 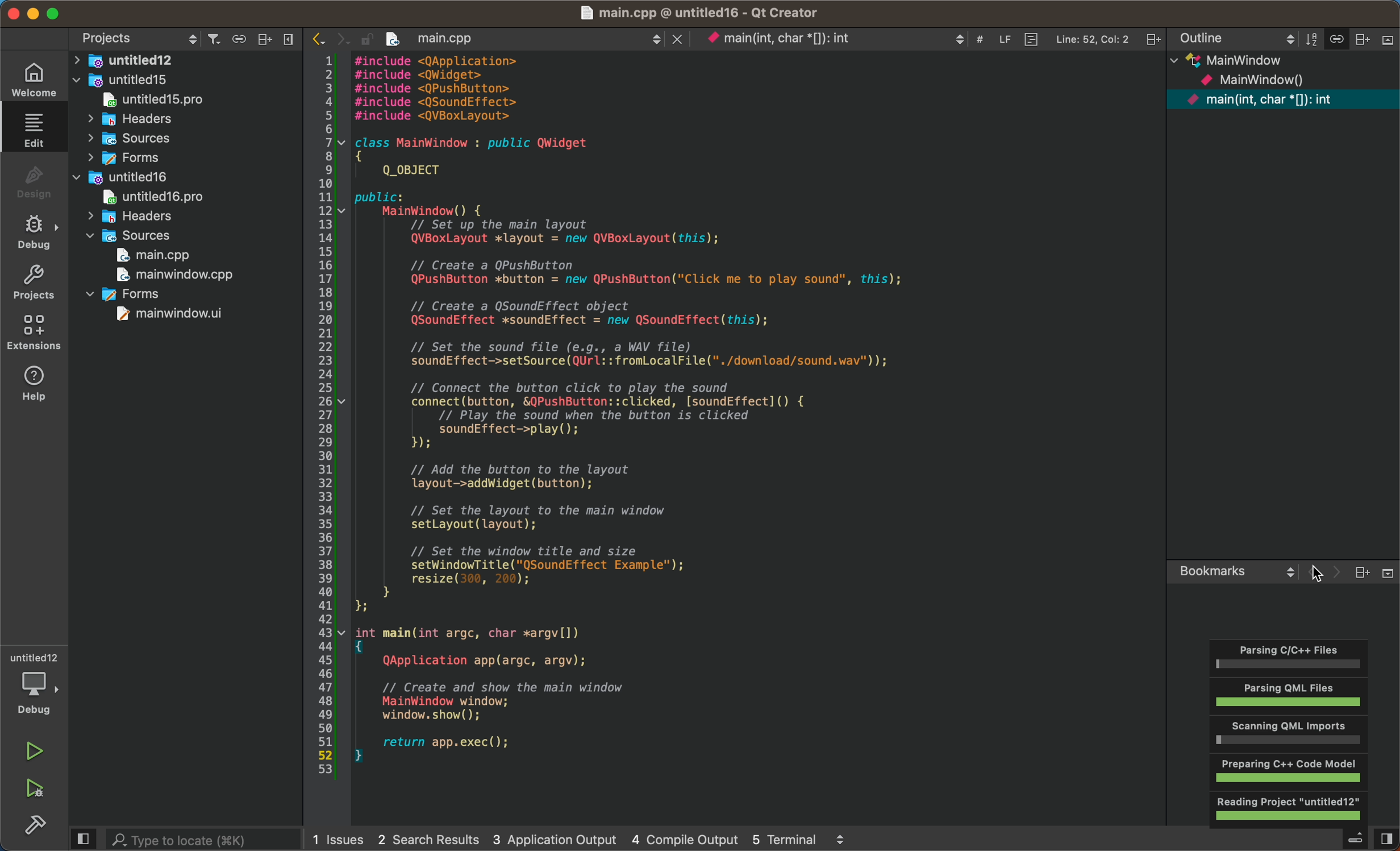 I want to click on Row nmbers, so click(x=328, y=417).